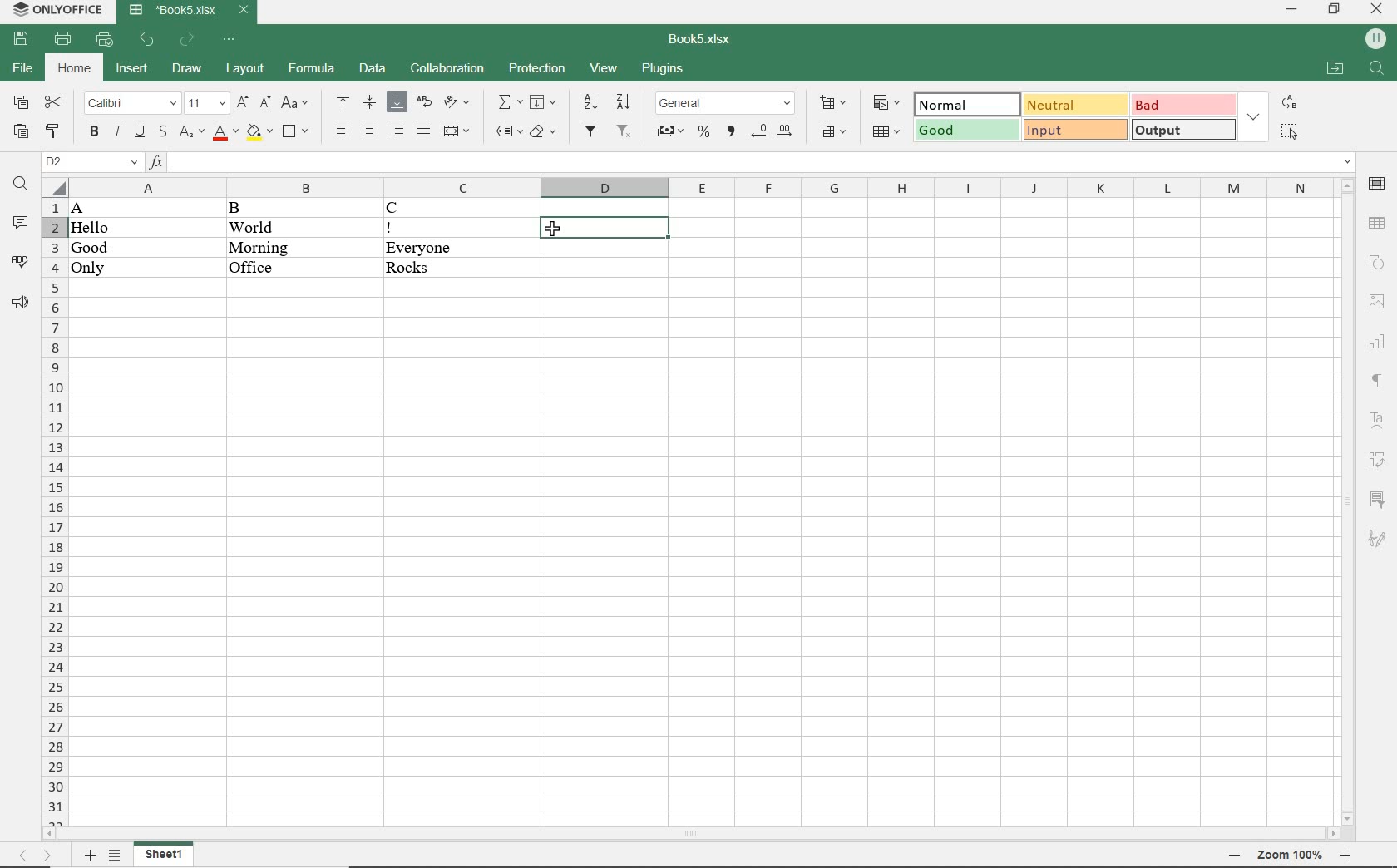 The height and width of the screenshot is (868, 1397). Describe the element at coordinates (1347, 856) in the screenshot. I see `zoom in` at that location.